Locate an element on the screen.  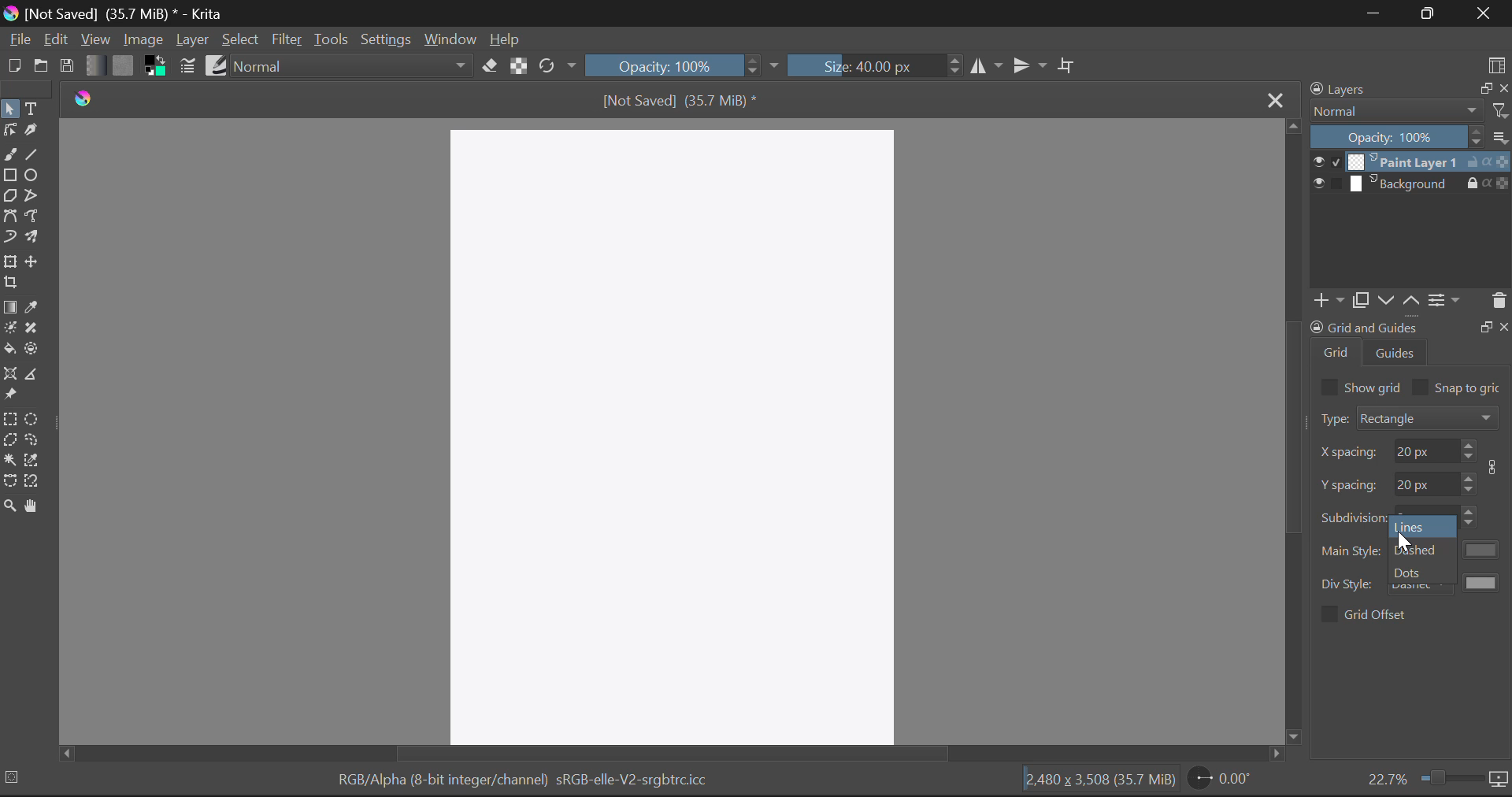
Assistant Tool is located at coordinates (11, 375).